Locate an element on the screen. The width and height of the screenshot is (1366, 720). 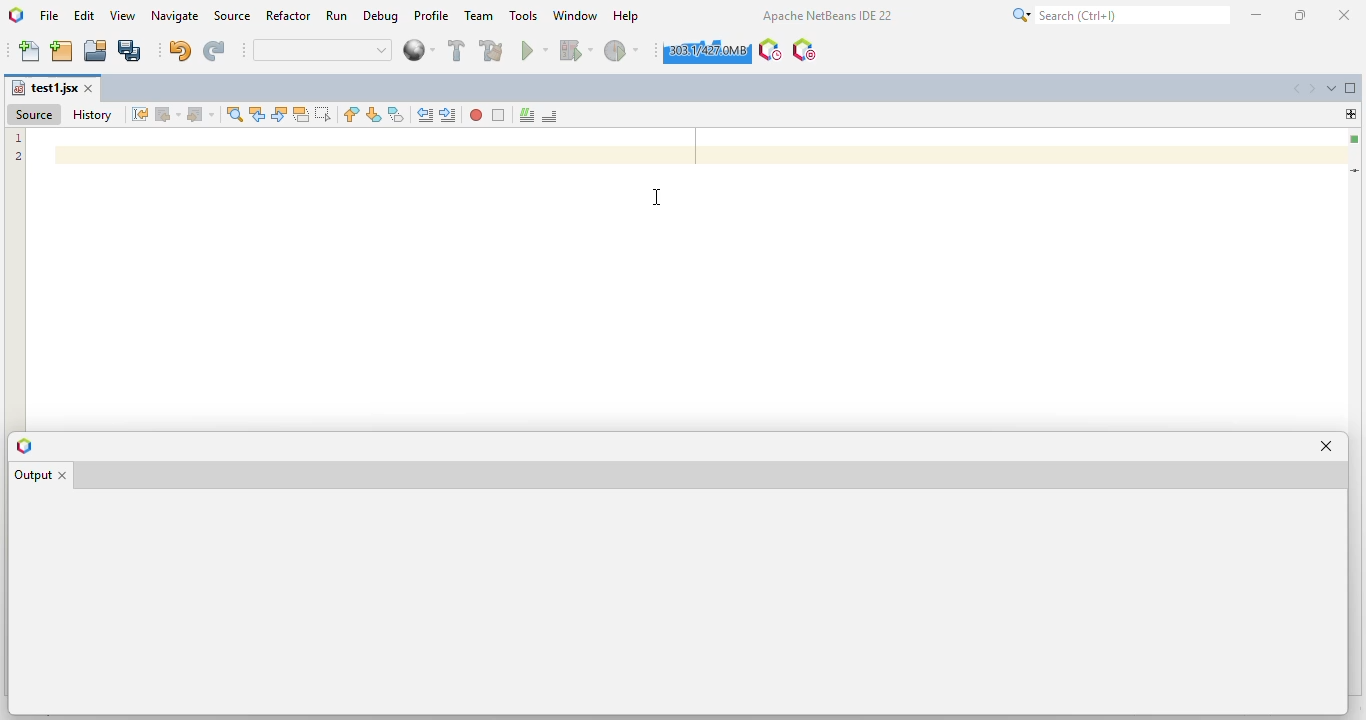
source is located at coordinates (33, 114).